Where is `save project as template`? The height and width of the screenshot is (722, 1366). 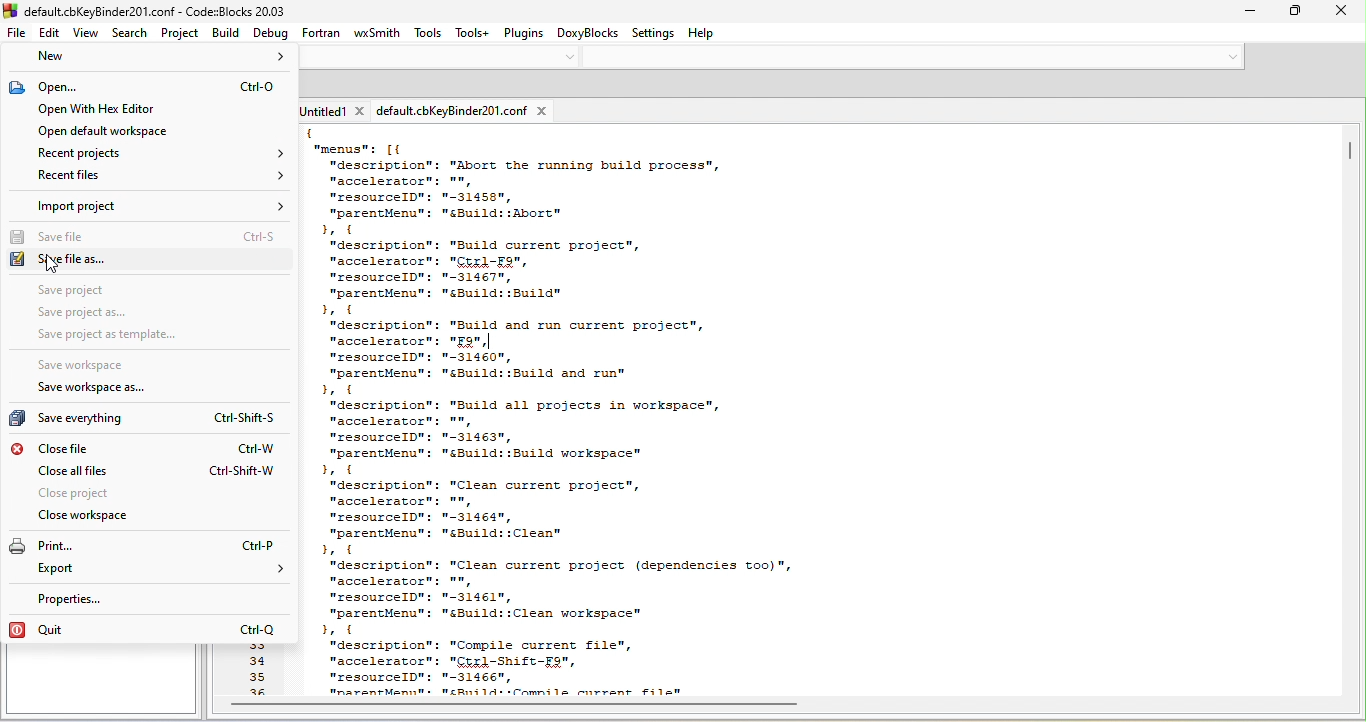
save project as template is located at coordinates (109, 335).